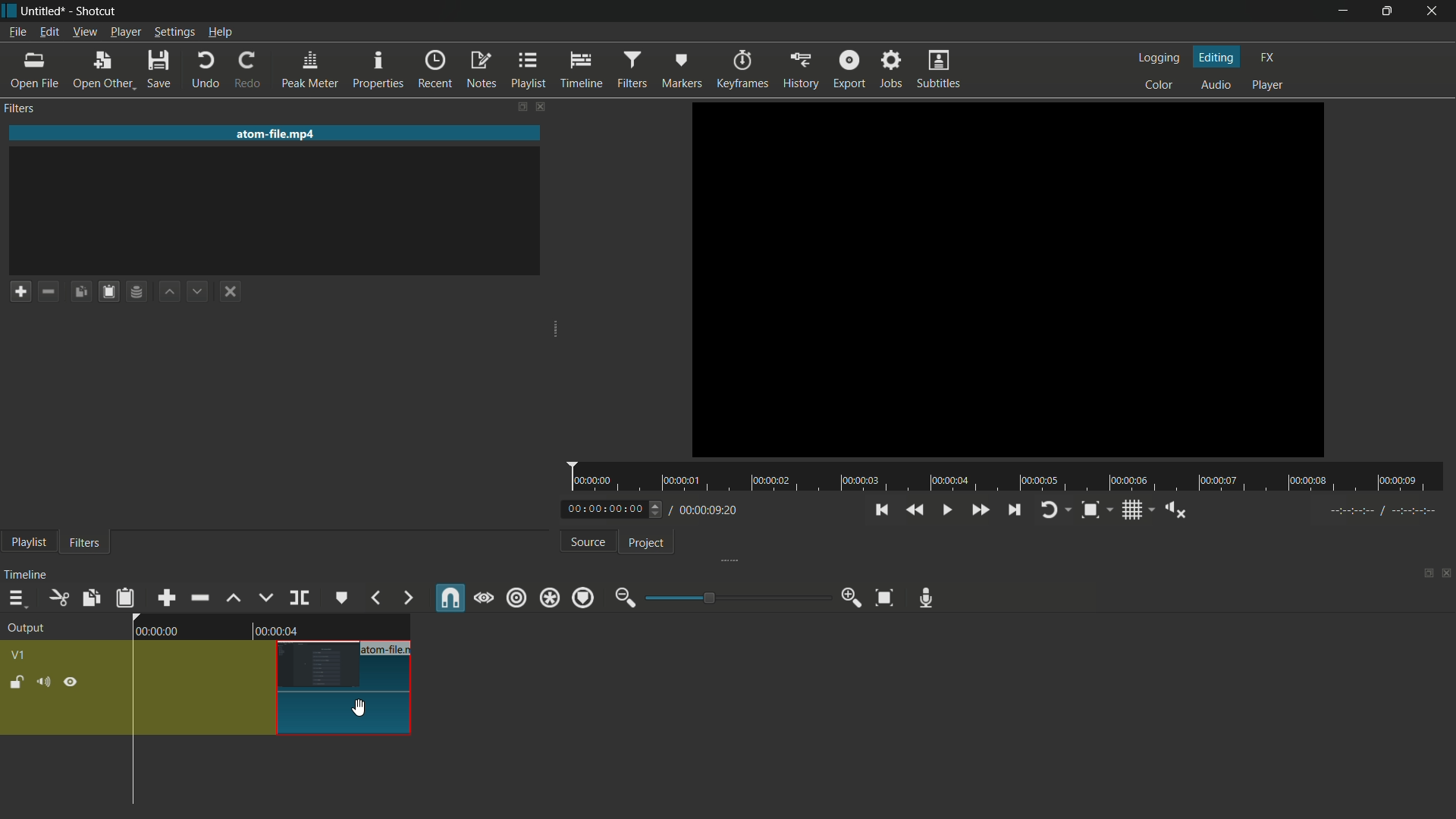 The height and width of the screenshot is (819, 1456). I want to click on filters, so click(632, 68).